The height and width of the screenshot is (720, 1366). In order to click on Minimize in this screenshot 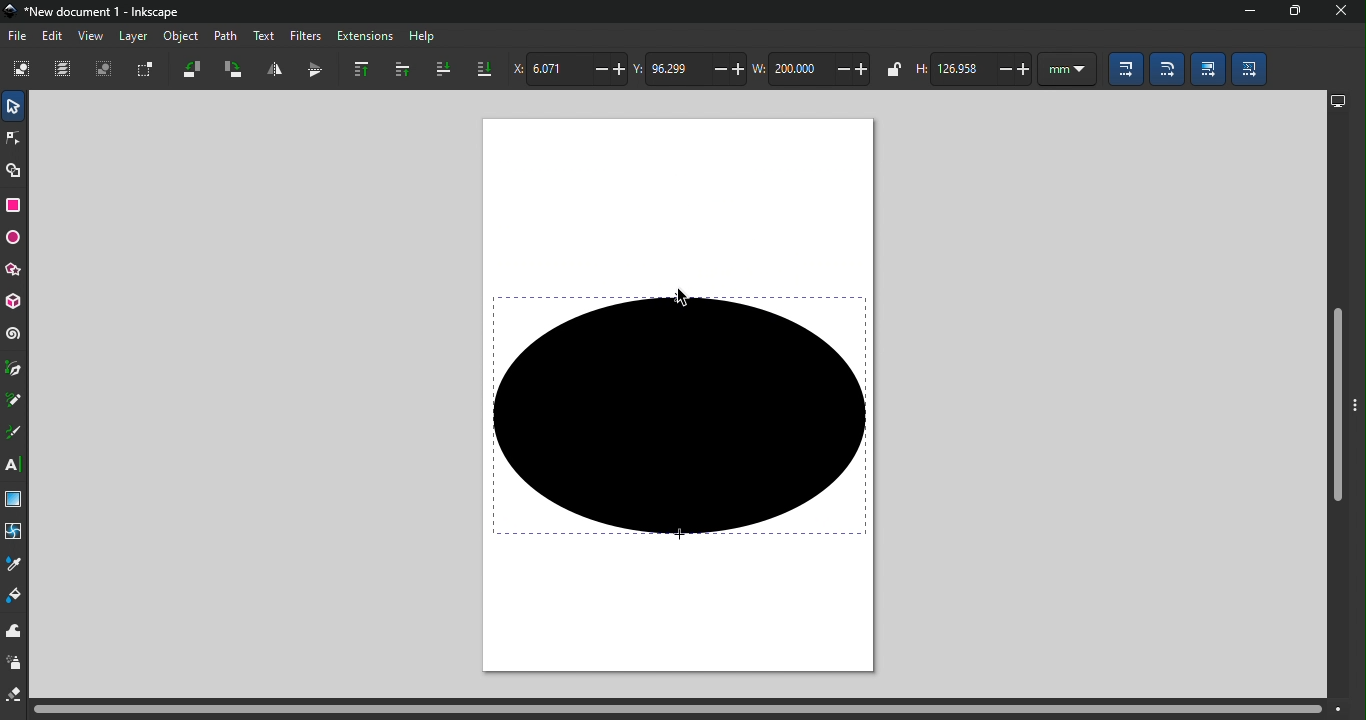, I will do `click(1243, 12)`.